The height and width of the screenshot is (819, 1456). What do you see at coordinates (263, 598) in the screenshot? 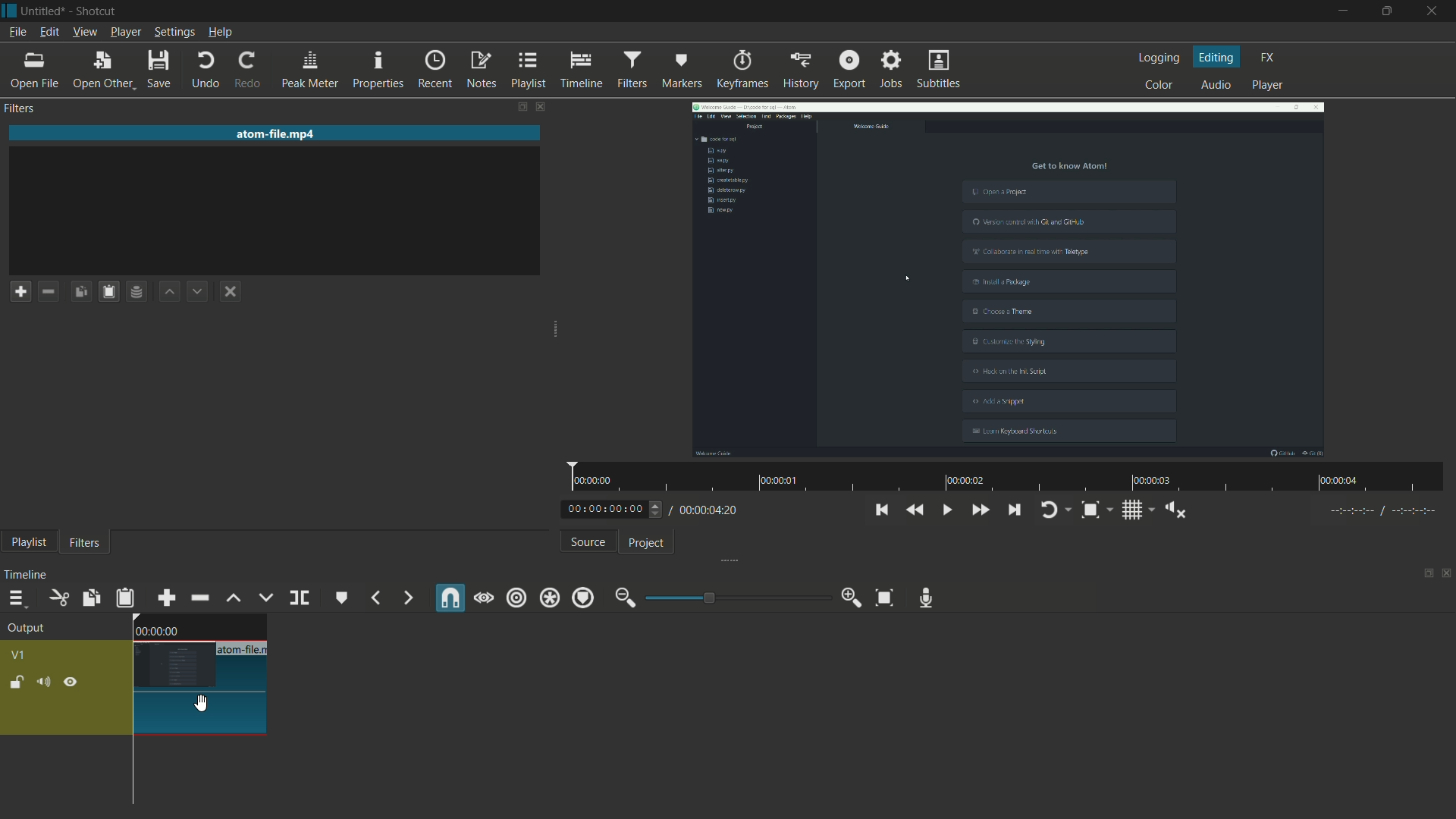
I see `overwrite` at bounding box center [263, 598].